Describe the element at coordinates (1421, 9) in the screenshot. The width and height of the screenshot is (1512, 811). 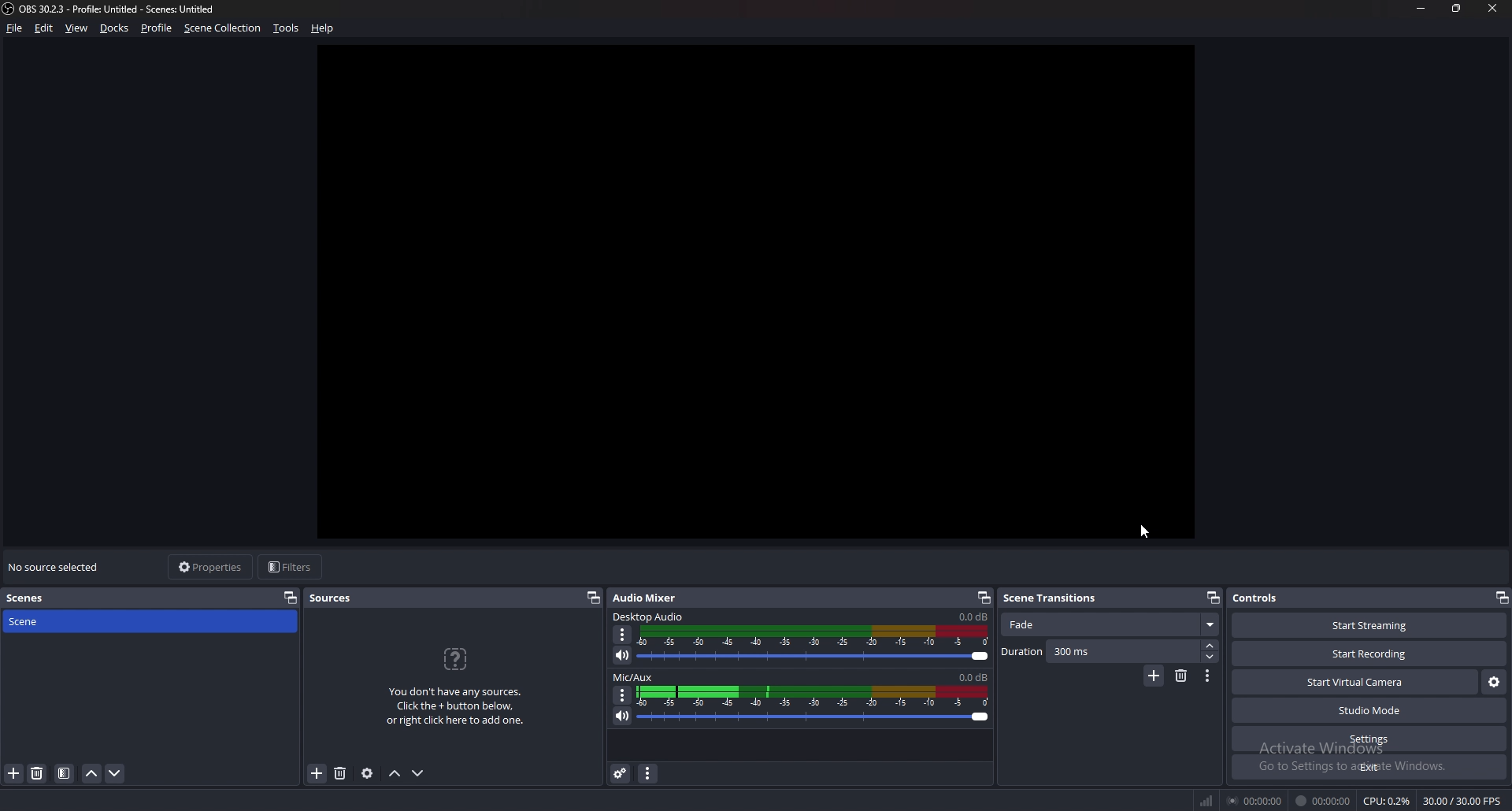
I see `minimize` at that location.